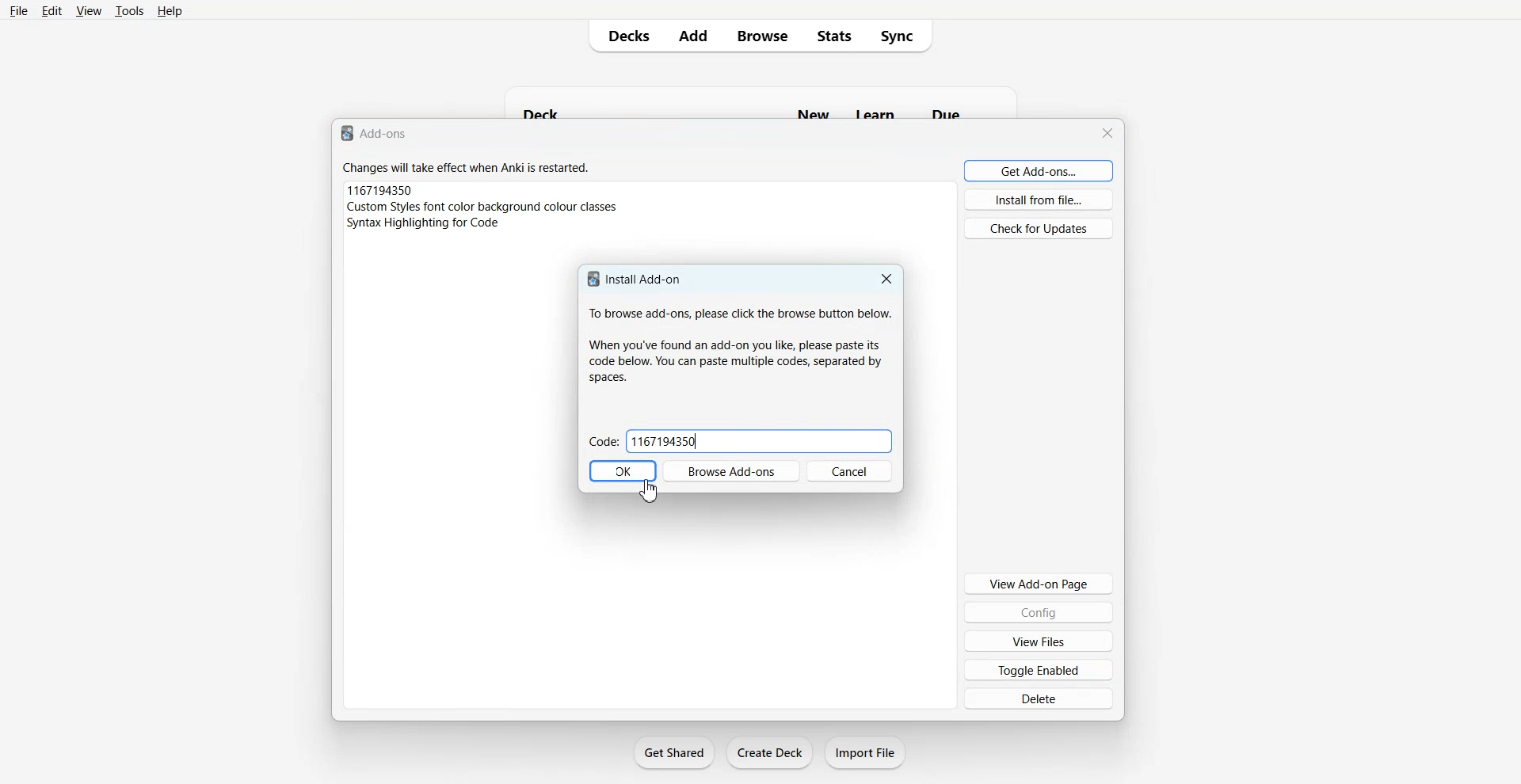 The width and height of the screenshot is (1521, 784). What do you see at coordinates (622, 470) in the screenshot?
I see `OK` at bounding box center [622, 470].